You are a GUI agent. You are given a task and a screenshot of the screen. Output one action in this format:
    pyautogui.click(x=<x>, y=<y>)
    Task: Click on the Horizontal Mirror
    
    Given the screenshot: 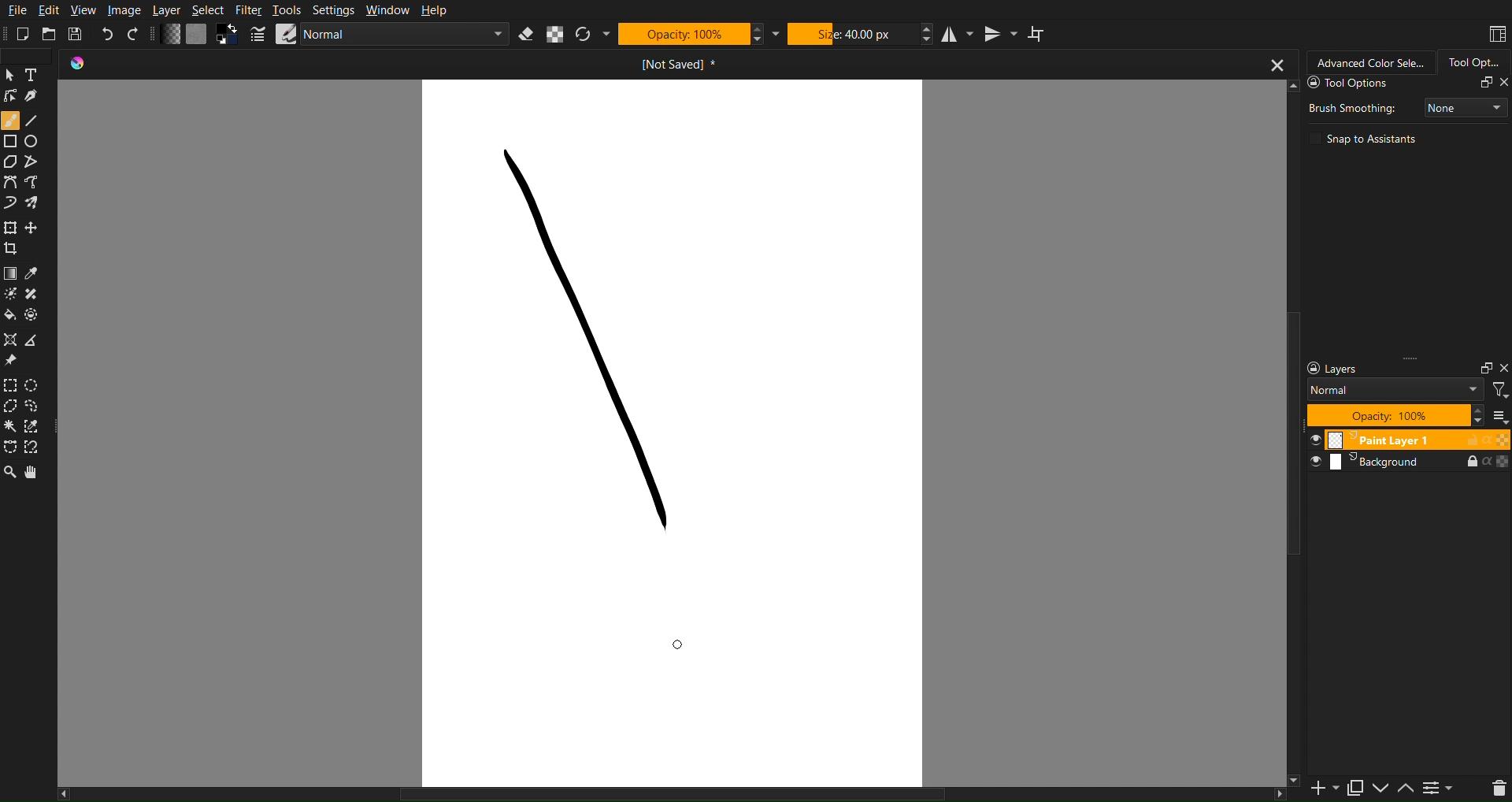 What is the action you would take?
    pyautogui.click(x=959, y=34)
    